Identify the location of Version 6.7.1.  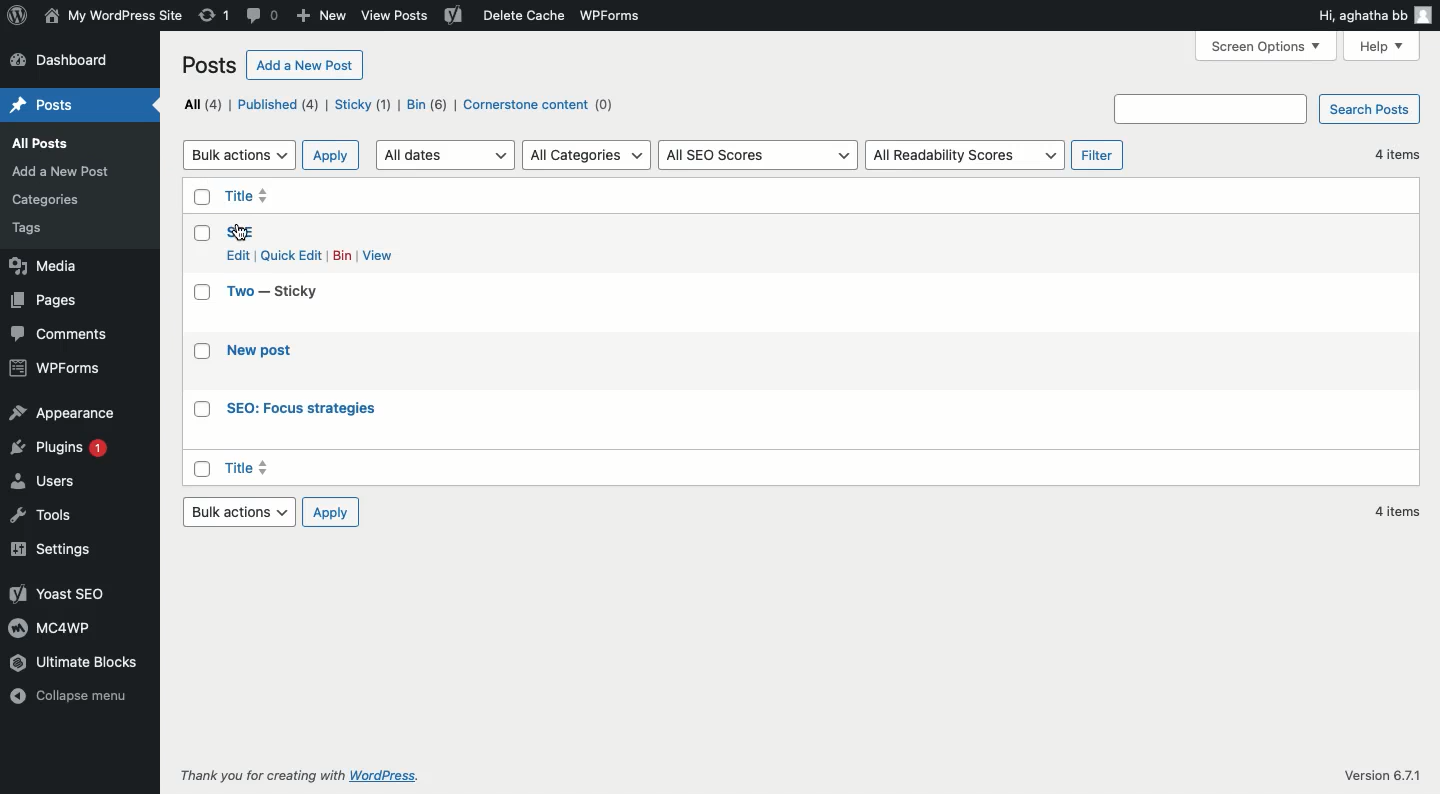
(1374, 771).